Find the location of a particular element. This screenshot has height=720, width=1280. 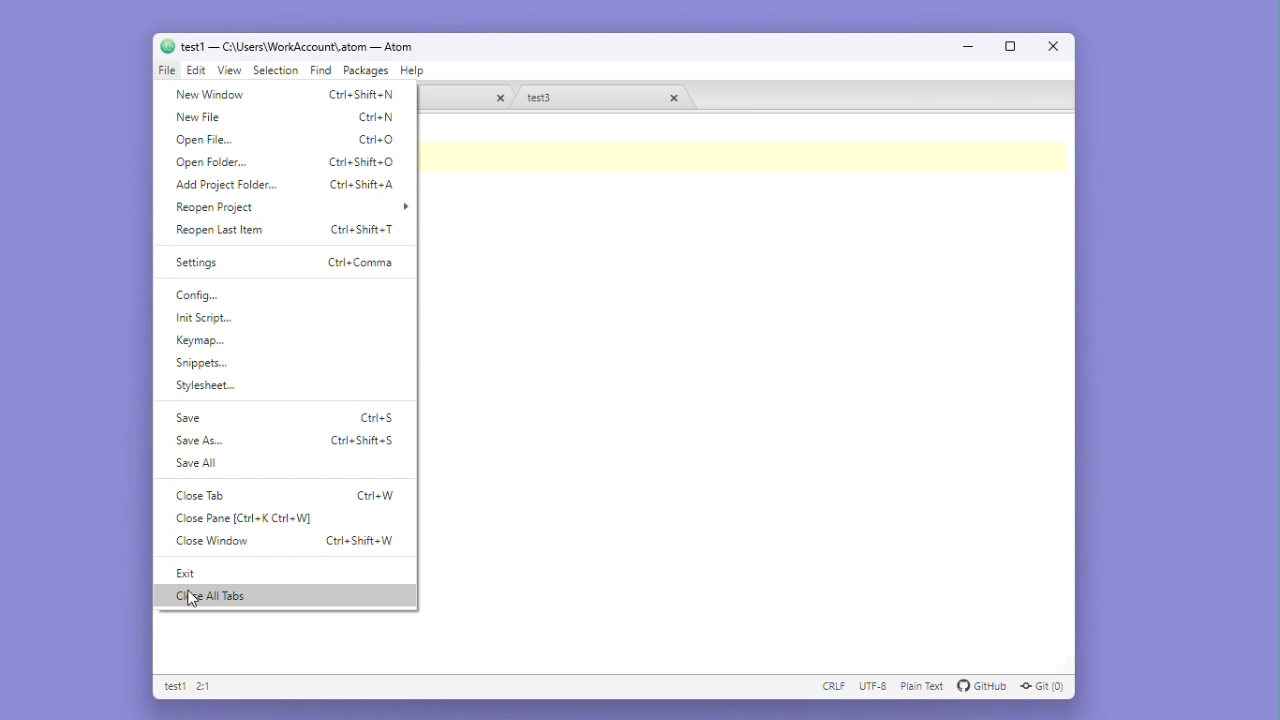

close is located at coordinates (496, 98).